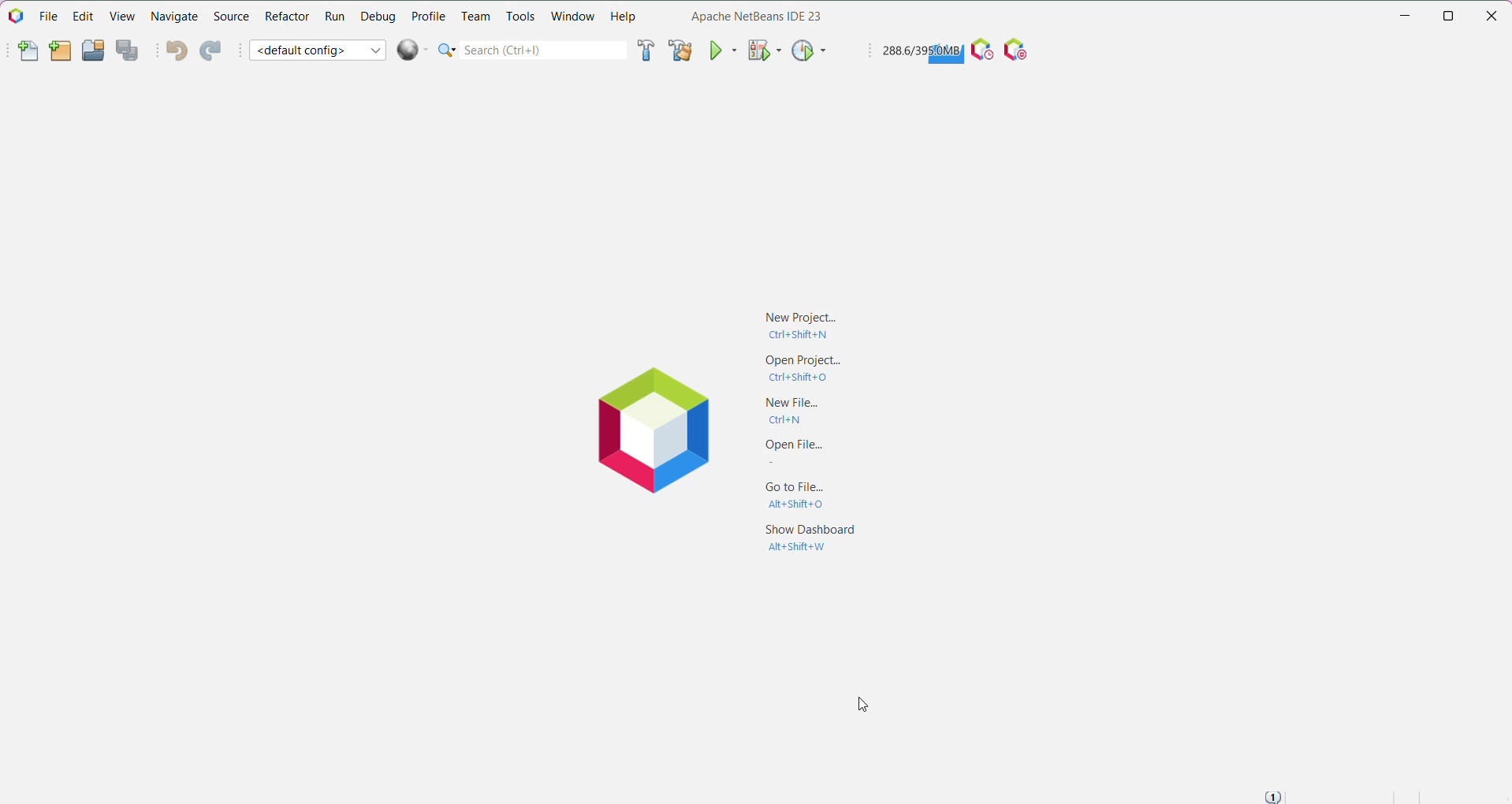 The width and height of the screenshot is (1512, 804). What do you see at coordinates (763, 50) in the screenshot?
I see `Debug Project` at bounding box center [763, 50].